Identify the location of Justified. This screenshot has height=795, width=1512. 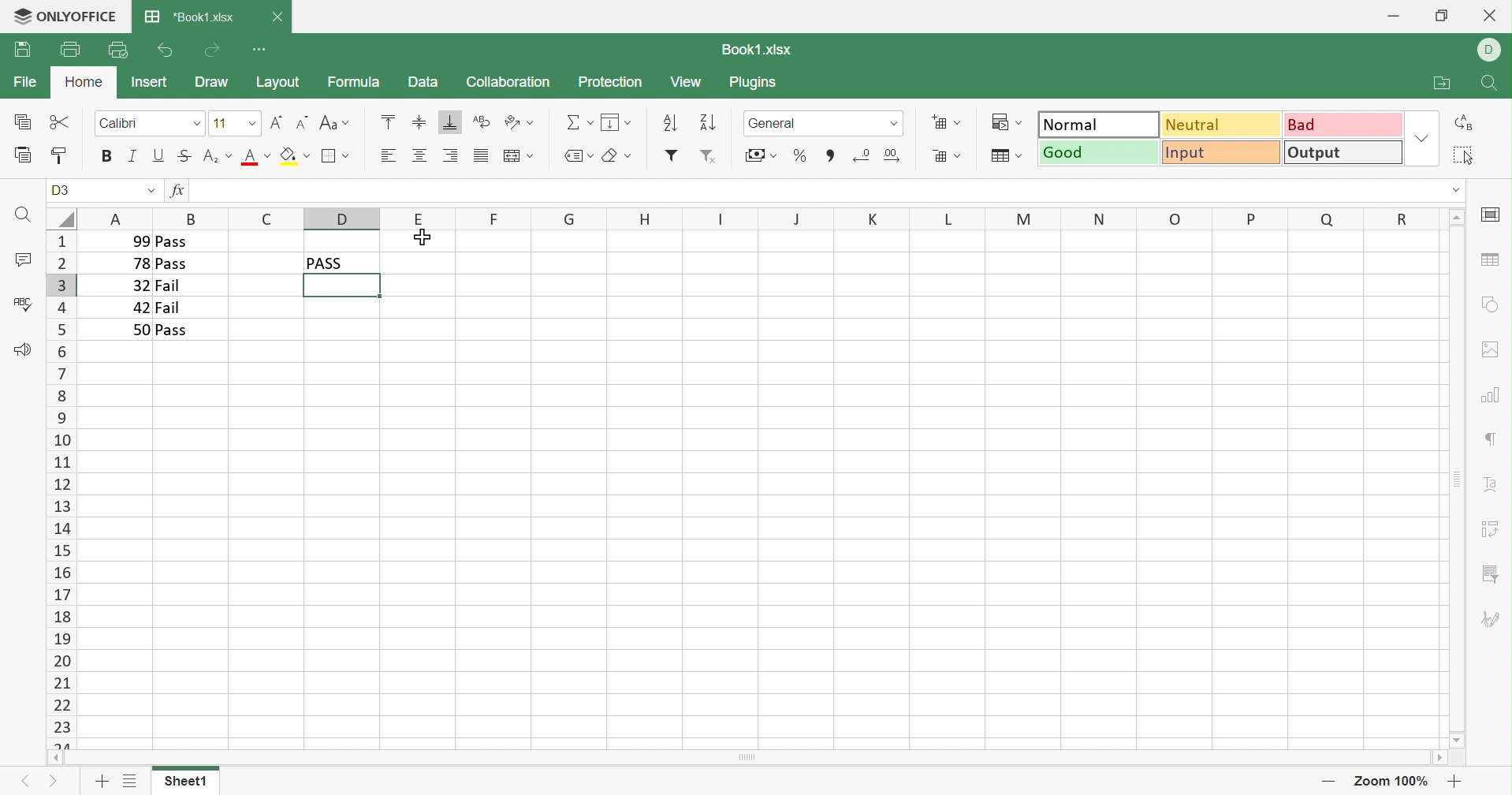
(479, 156).